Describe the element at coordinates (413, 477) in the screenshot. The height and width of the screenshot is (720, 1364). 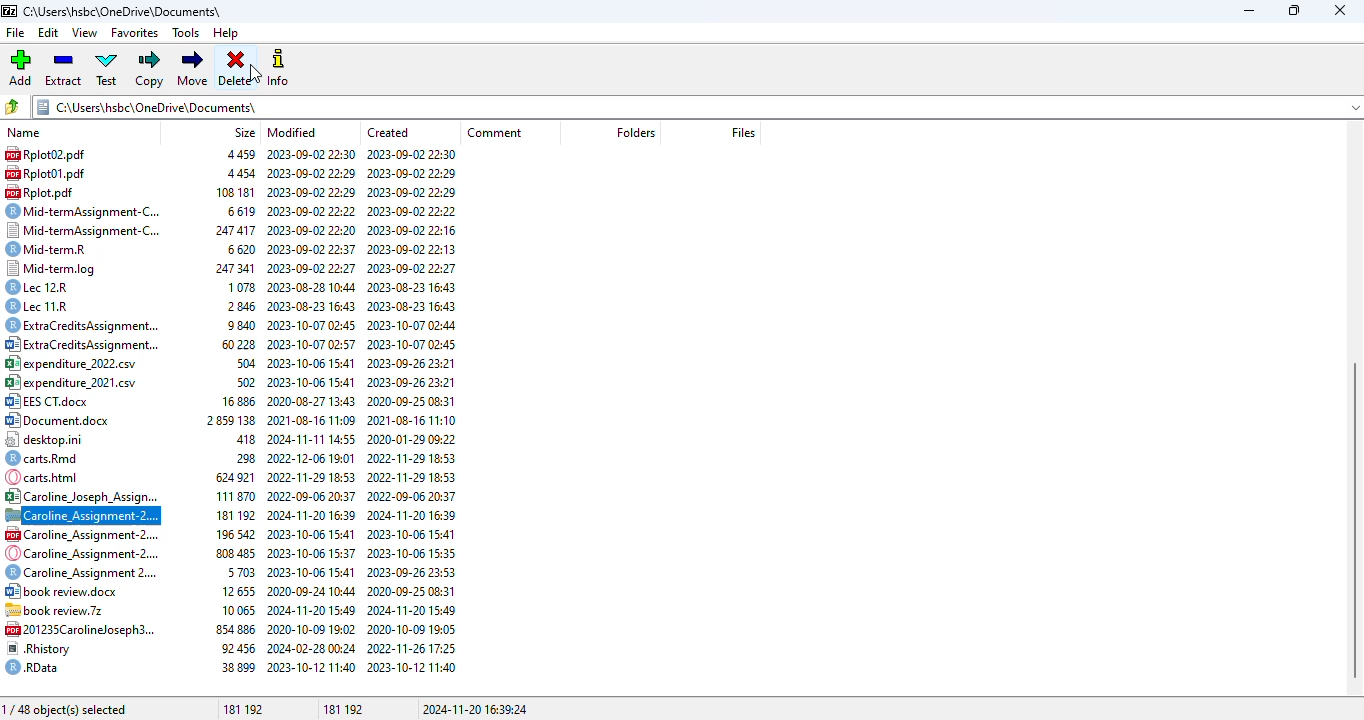
I see `2022-11-29 18:53` at that location.